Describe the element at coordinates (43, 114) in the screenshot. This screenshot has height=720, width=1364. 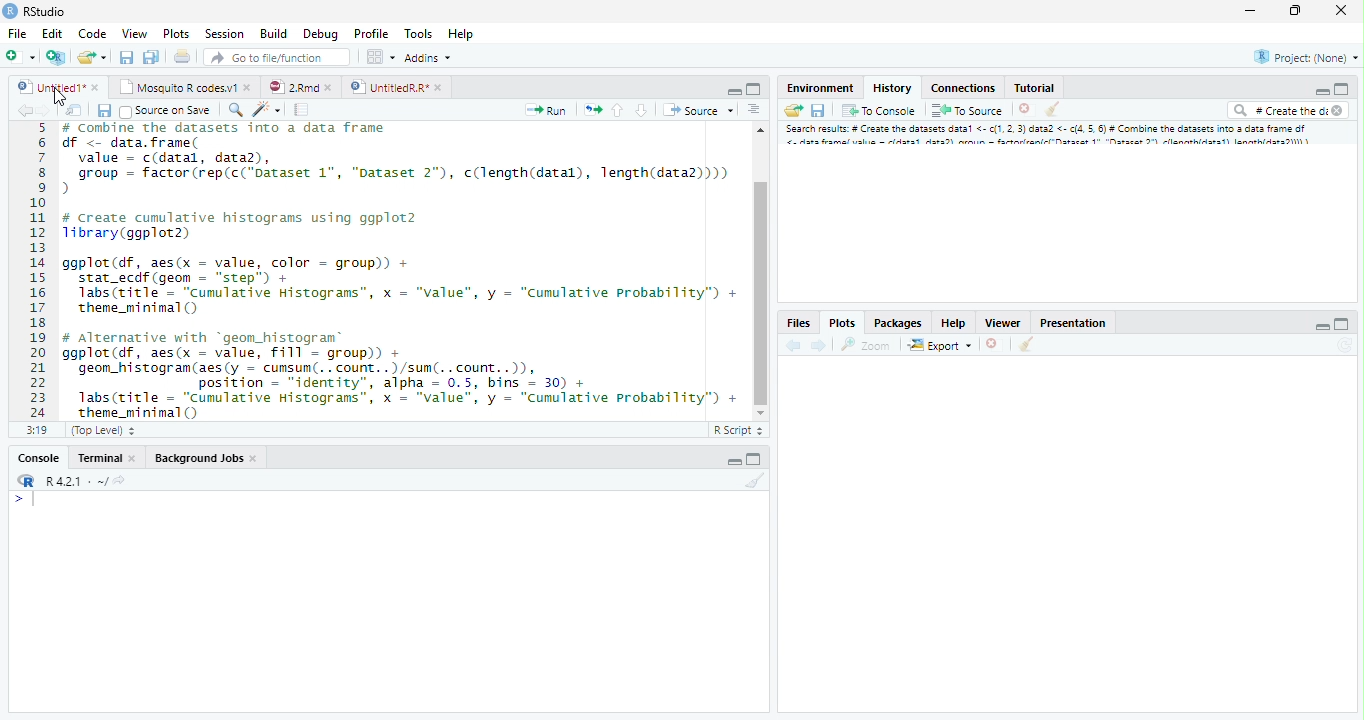
I see `Next` at that location.